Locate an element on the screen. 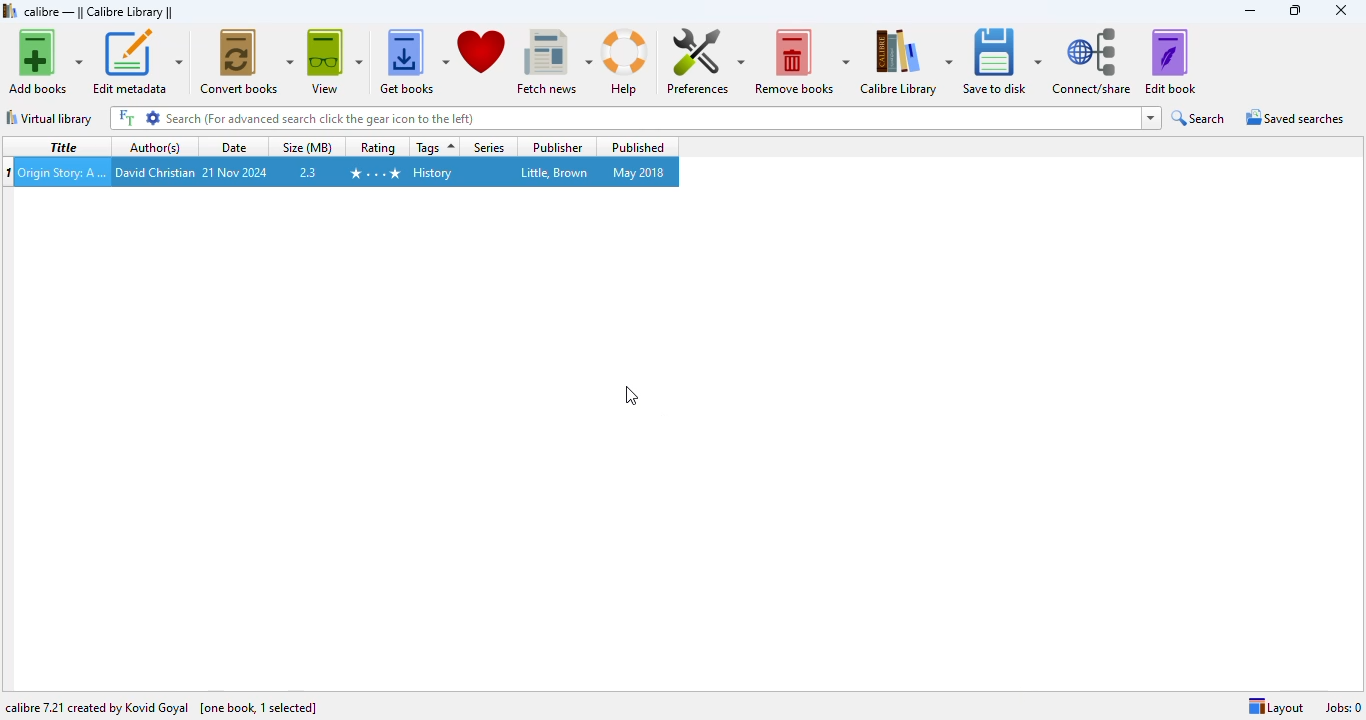  series is located at coordinates (489, 148).